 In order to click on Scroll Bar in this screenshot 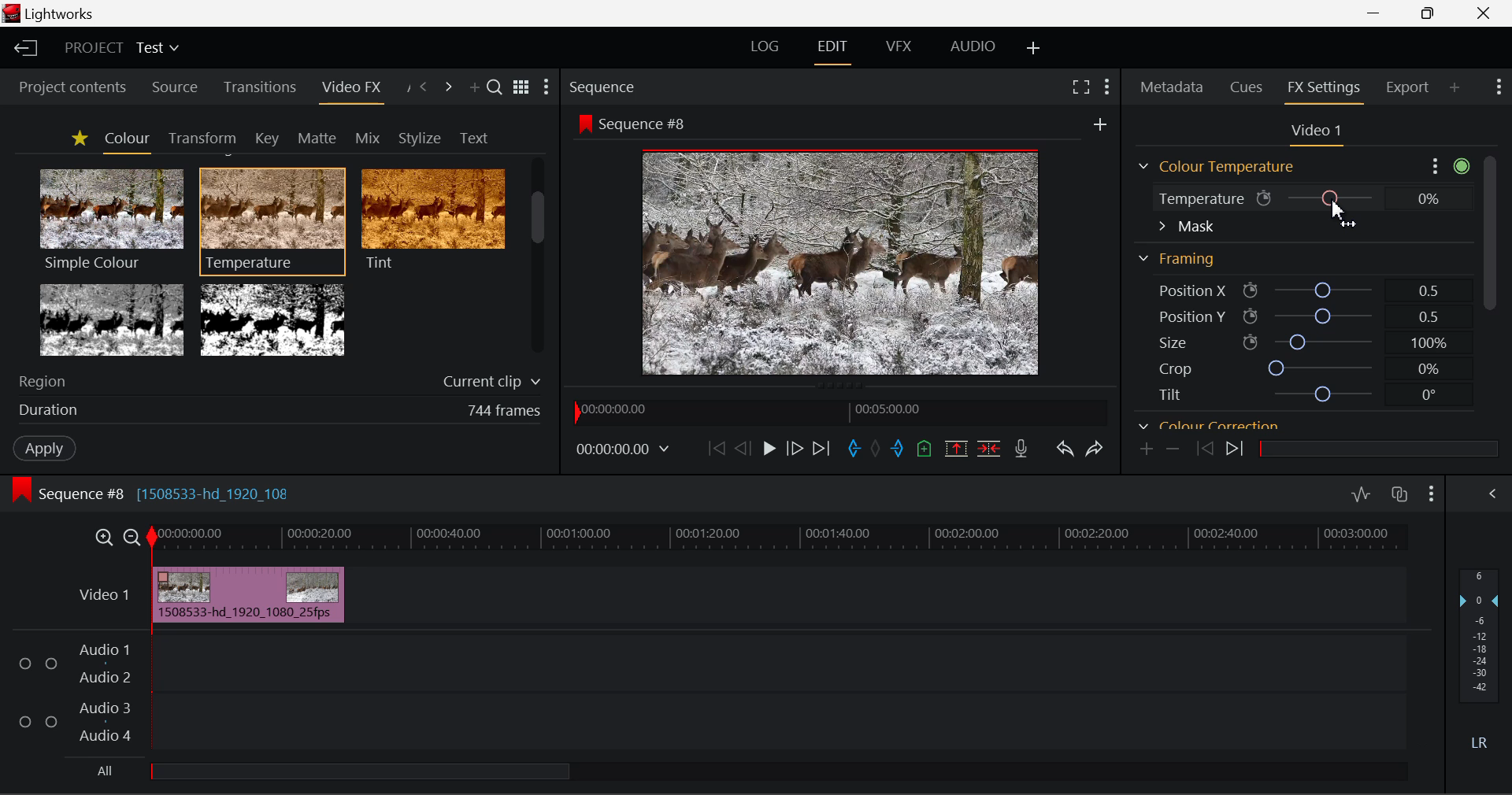, I will do `click(539, 259)`.